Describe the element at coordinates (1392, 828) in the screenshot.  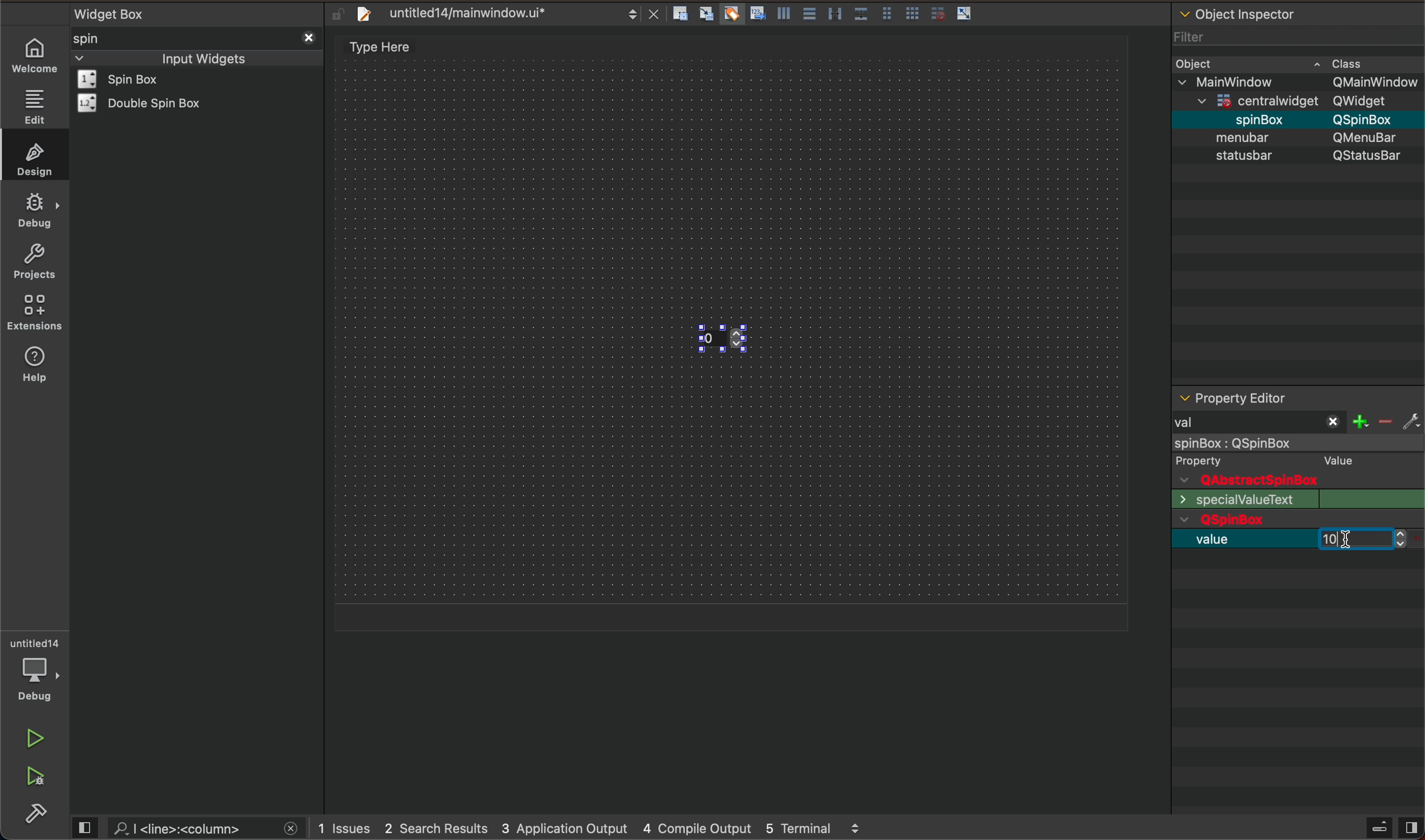
I see `close sidebar` at that location.